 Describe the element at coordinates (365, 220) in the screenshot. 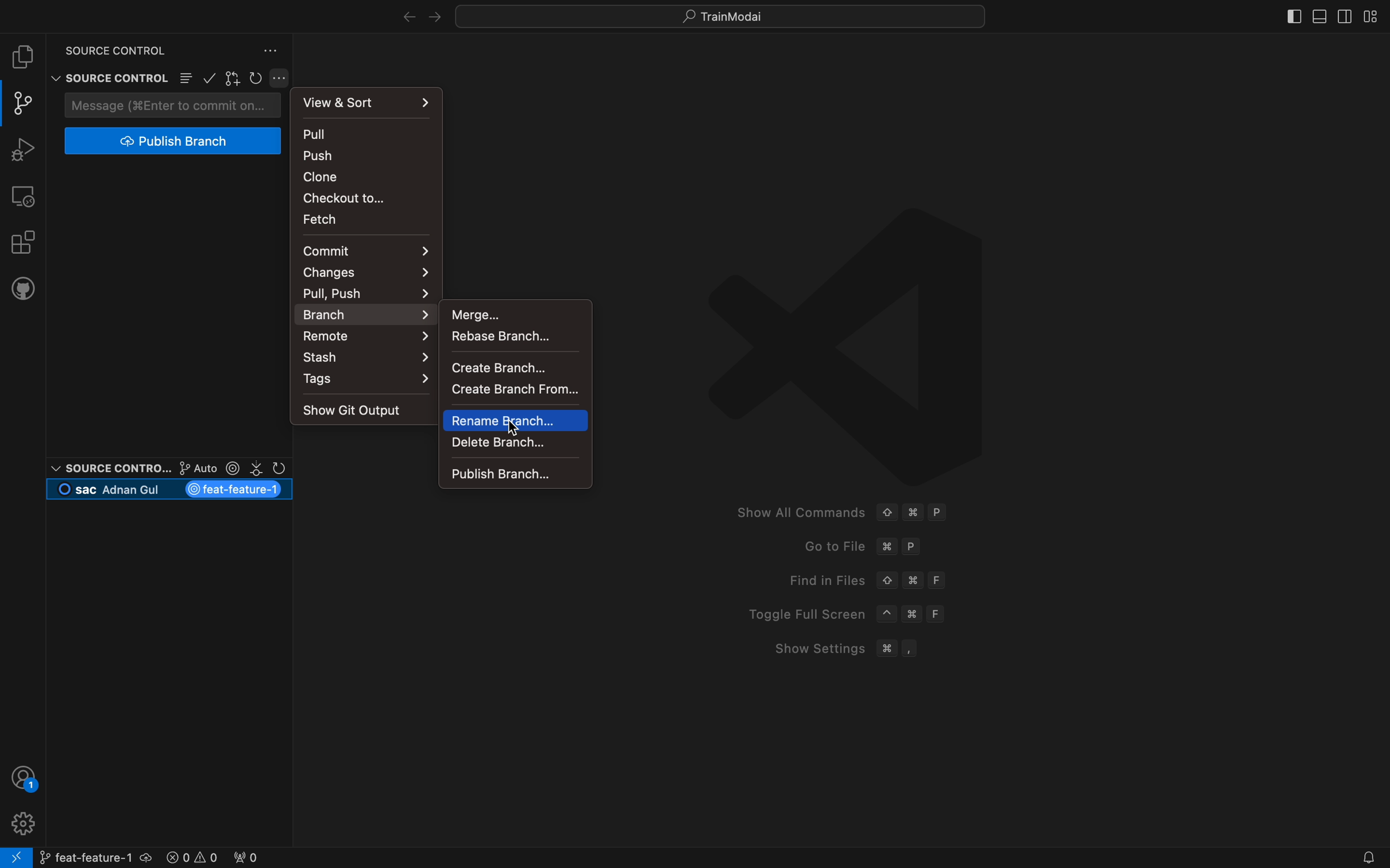

I see `fetch` at that location.